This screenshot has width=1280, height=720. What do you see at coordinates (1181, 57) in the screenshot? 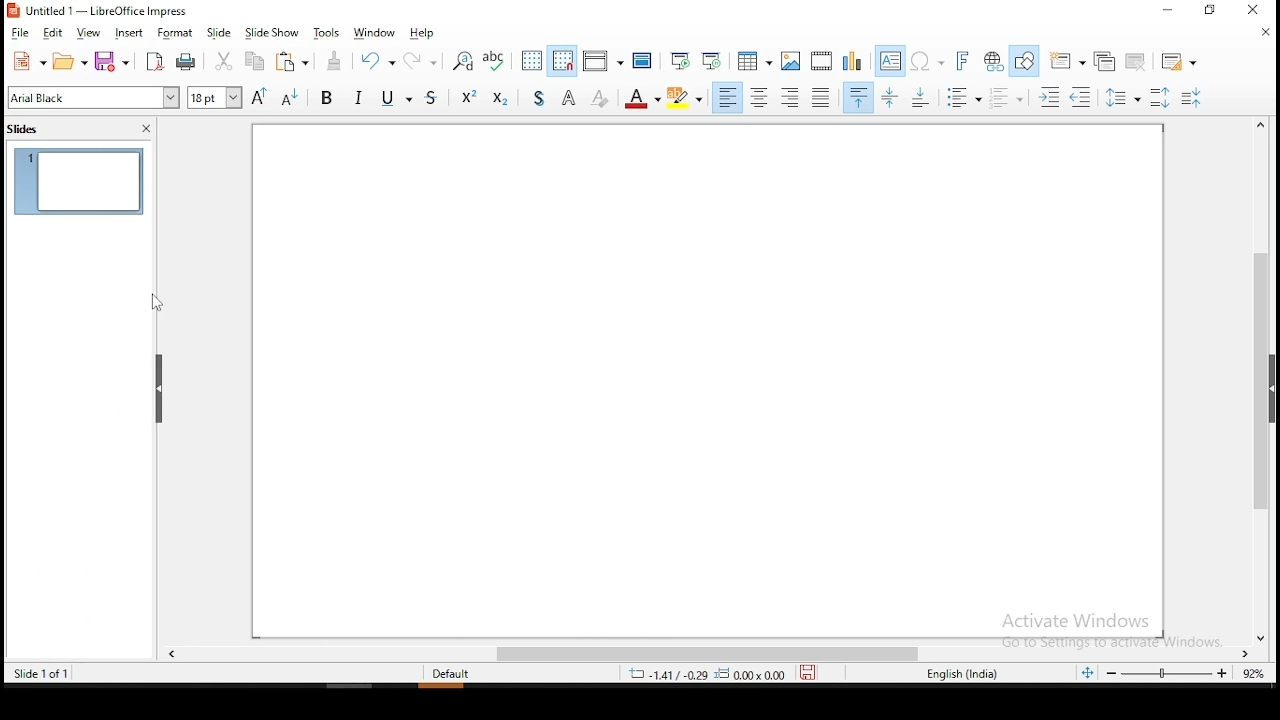
I see `slide layout` at bounding box center [1181, 57].